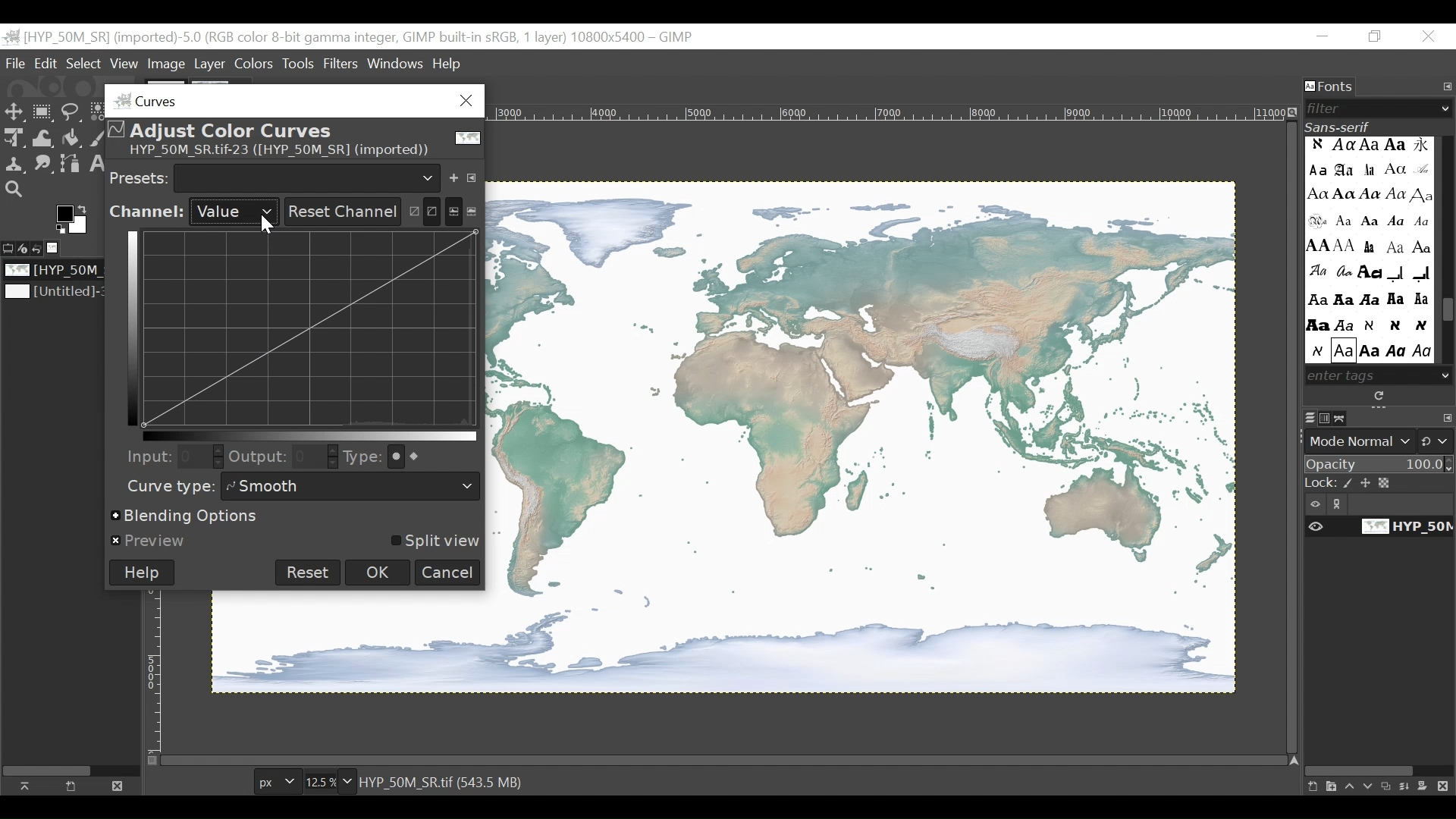 Image resolution: width=1456 pixels, height=819 pixels. Describe the element at coordinates (129, 327) in the screenshot. I see `Vertical Gradient bar` at that location.